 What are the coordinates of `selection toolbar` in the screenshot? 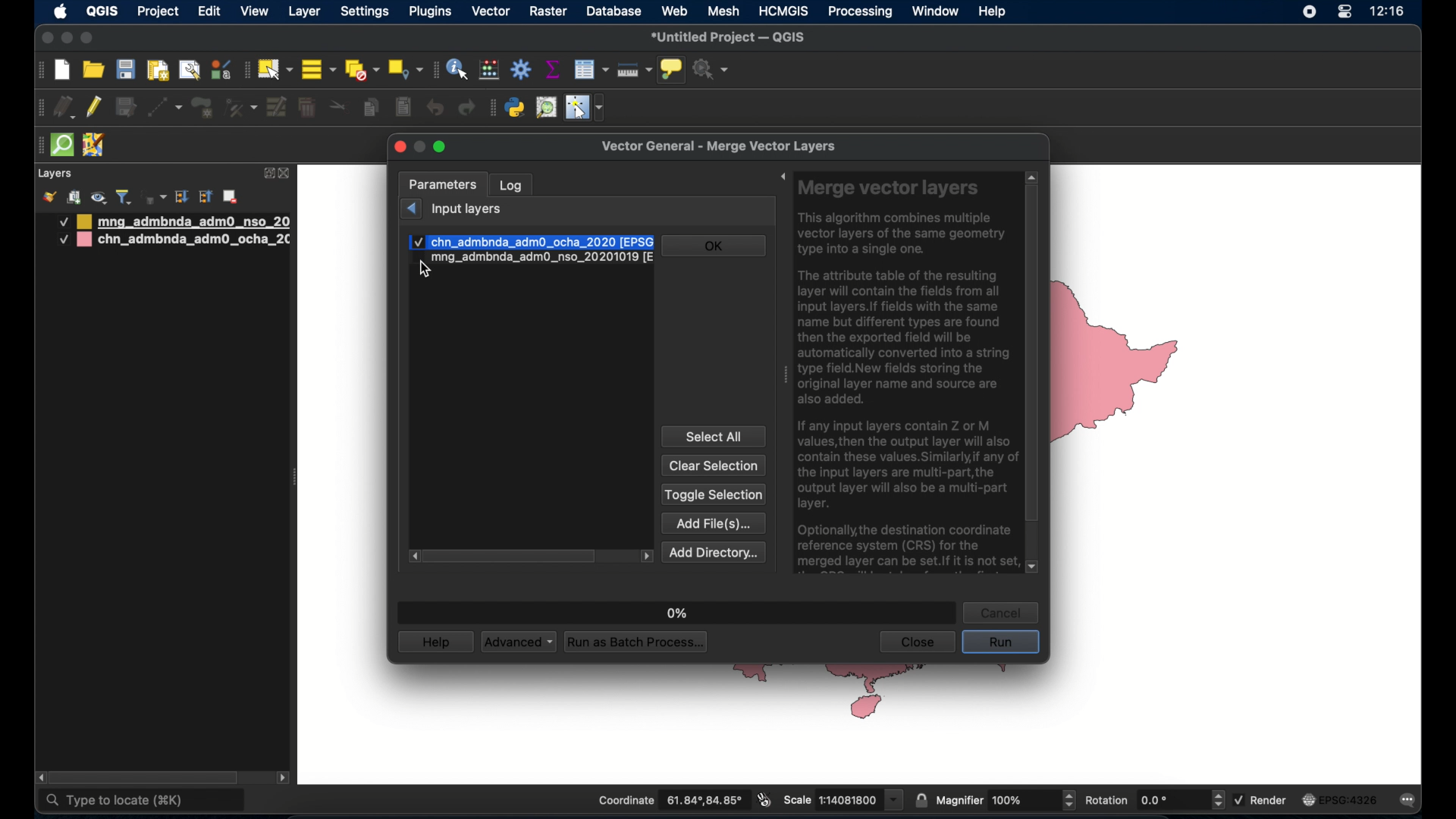 It's located at (245, 70).